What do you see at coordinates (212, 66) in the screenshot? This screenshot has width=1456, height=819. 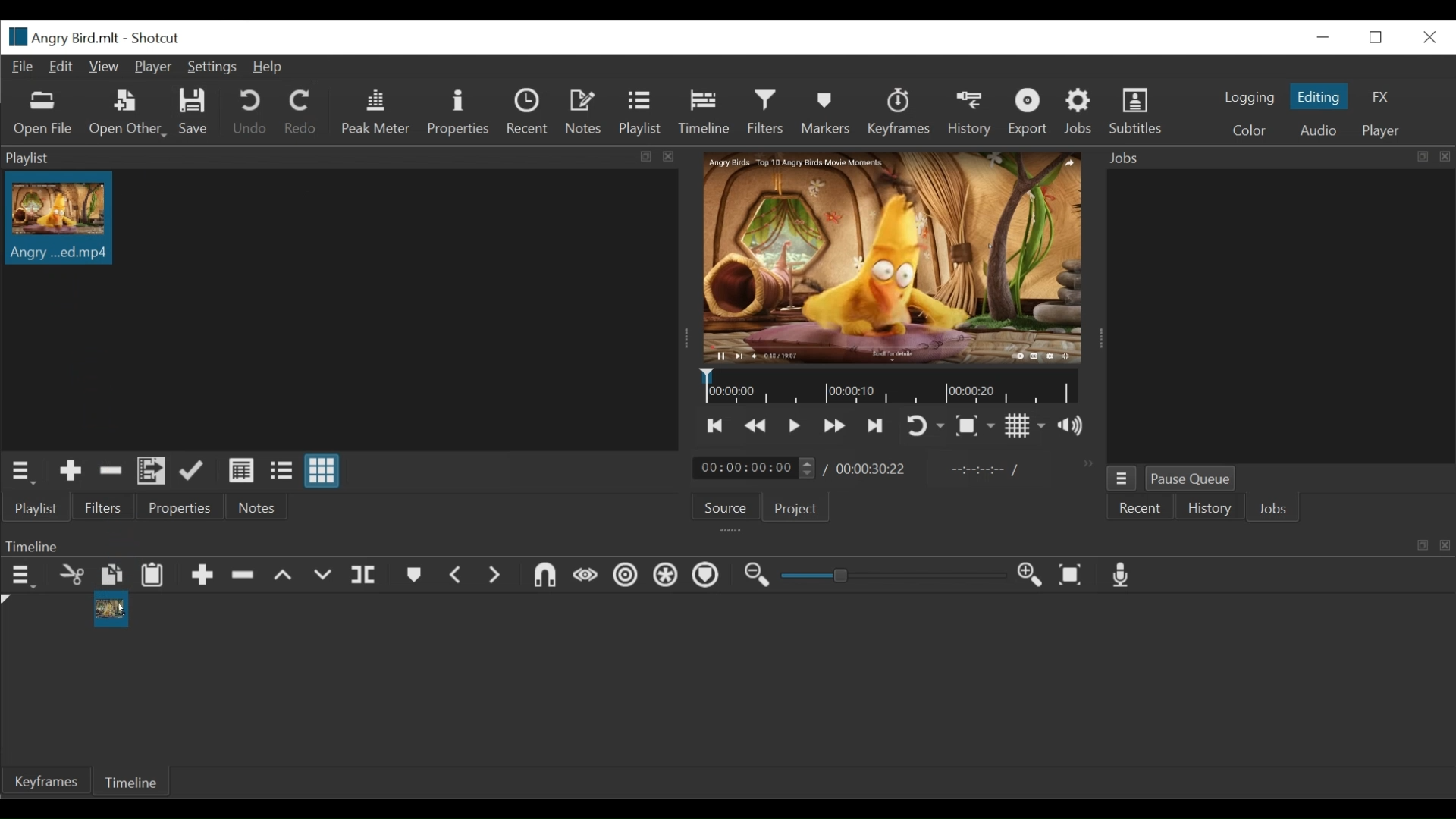 I see `Settings` at bounding box center [212, 66].